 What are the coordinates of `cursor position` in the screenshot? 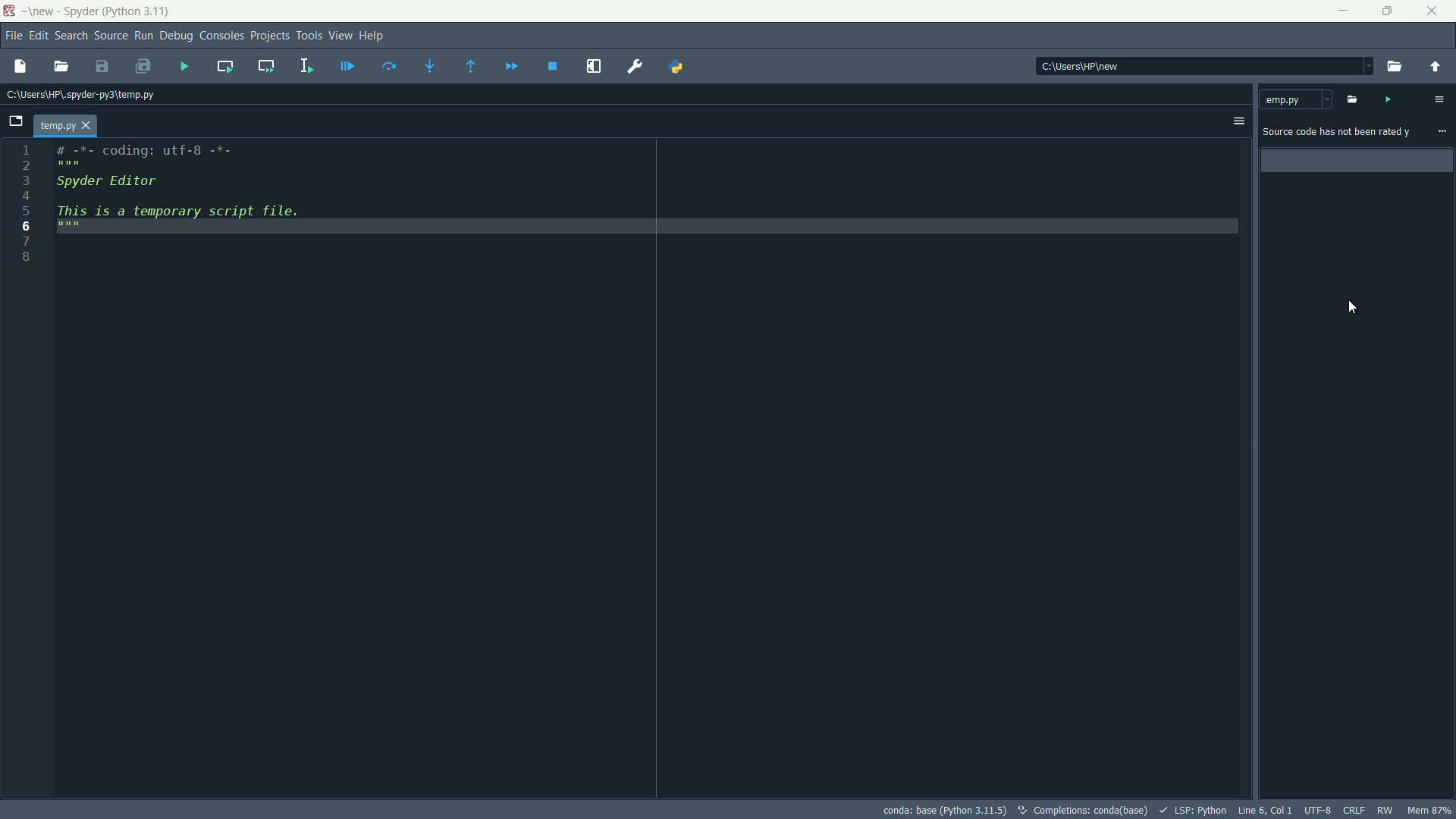 It's located at (1264, 811).